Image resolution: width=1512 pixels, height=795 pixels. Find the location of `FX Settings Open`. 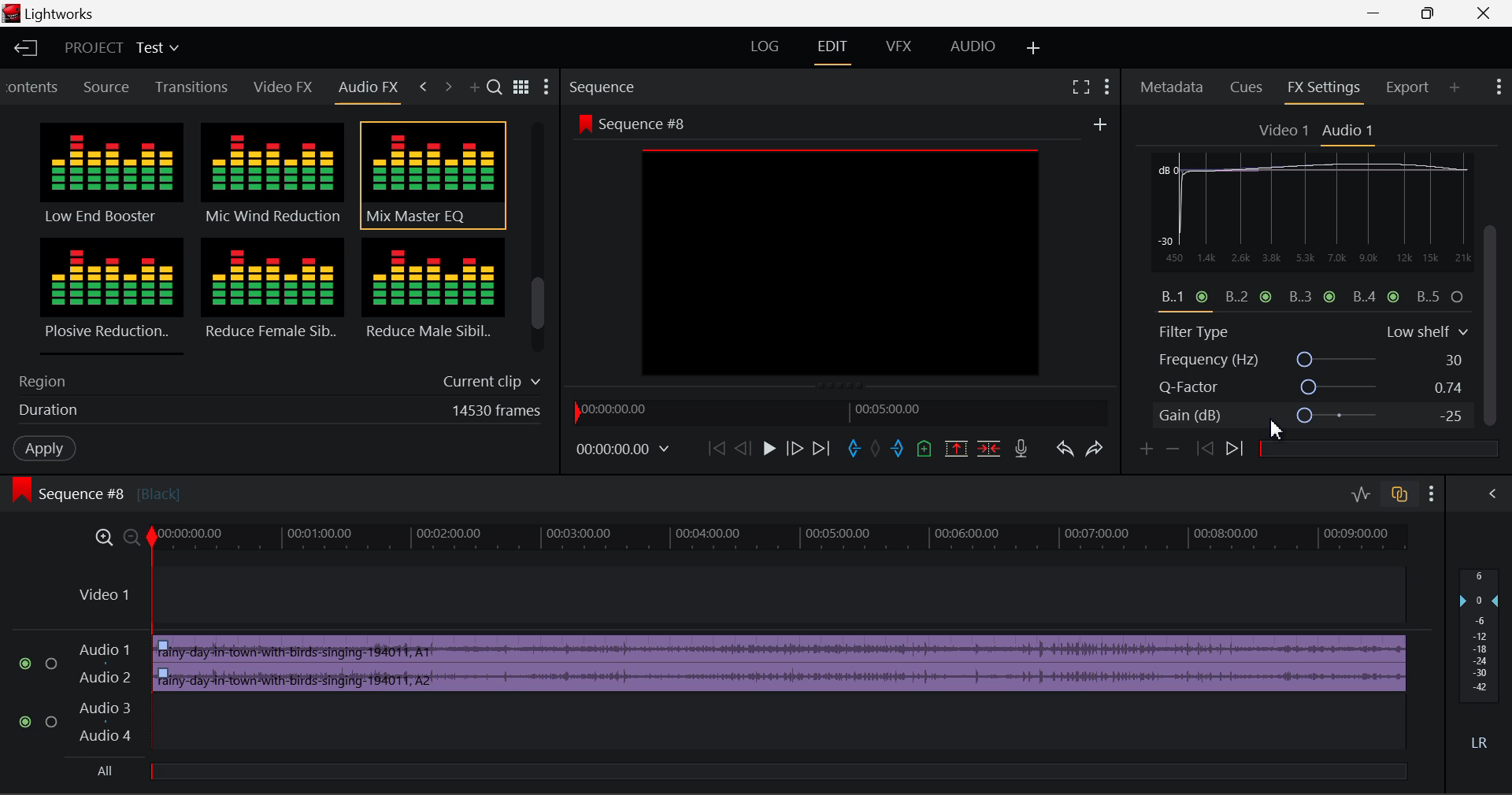

FX Settings Open is located at coordinates (1325, 91).